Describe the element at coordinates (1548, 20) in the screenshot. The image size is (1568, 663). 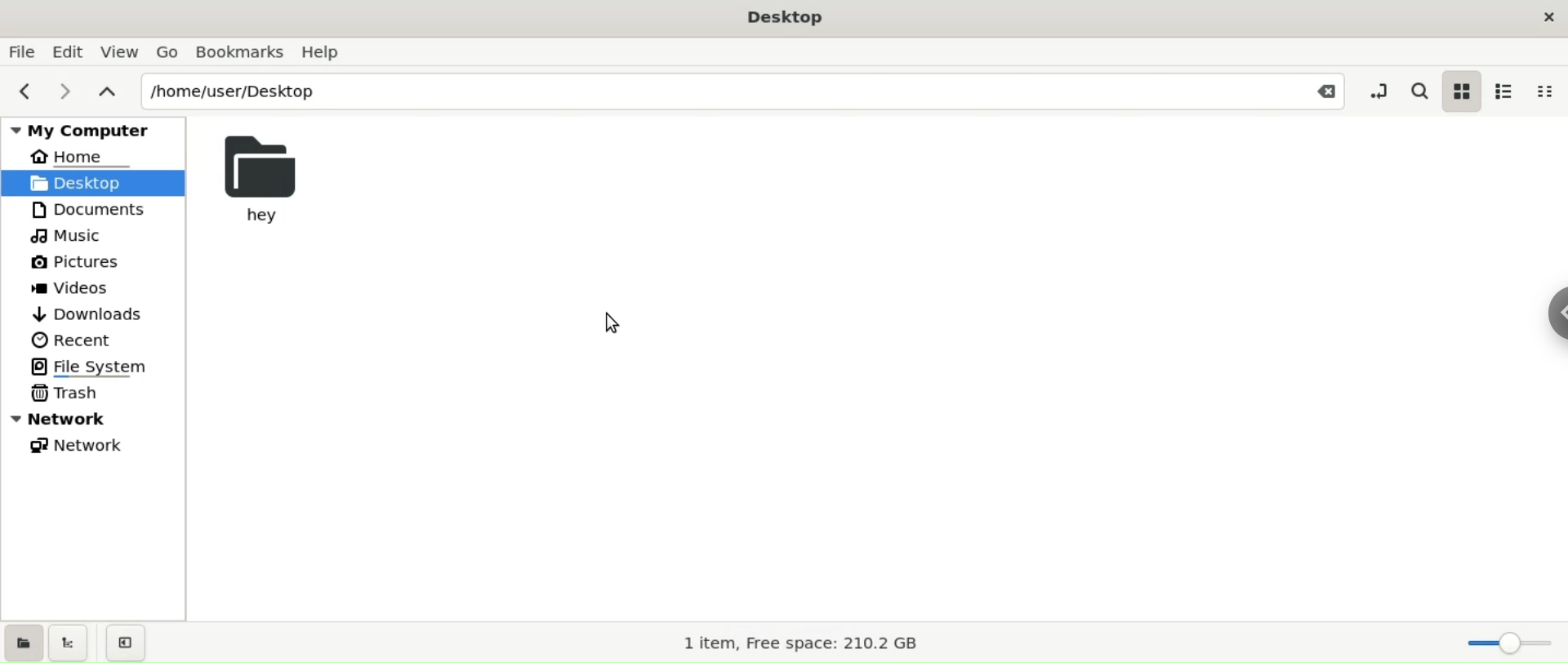
I see `close` at that location.